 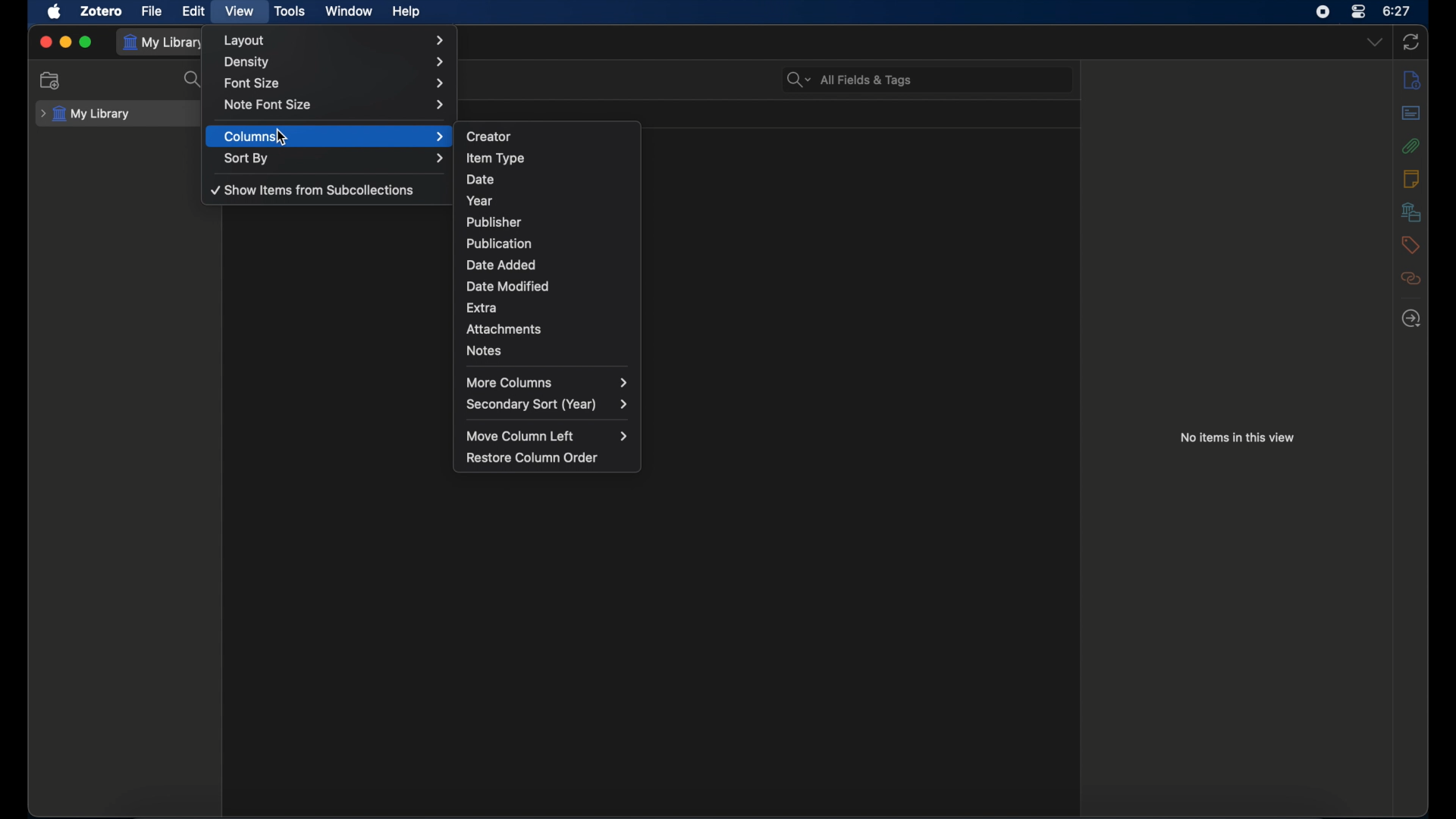 What do you see at coordinates (102, 11) in the screenshot?
I see `zotero` at bounding box center [102, 11].